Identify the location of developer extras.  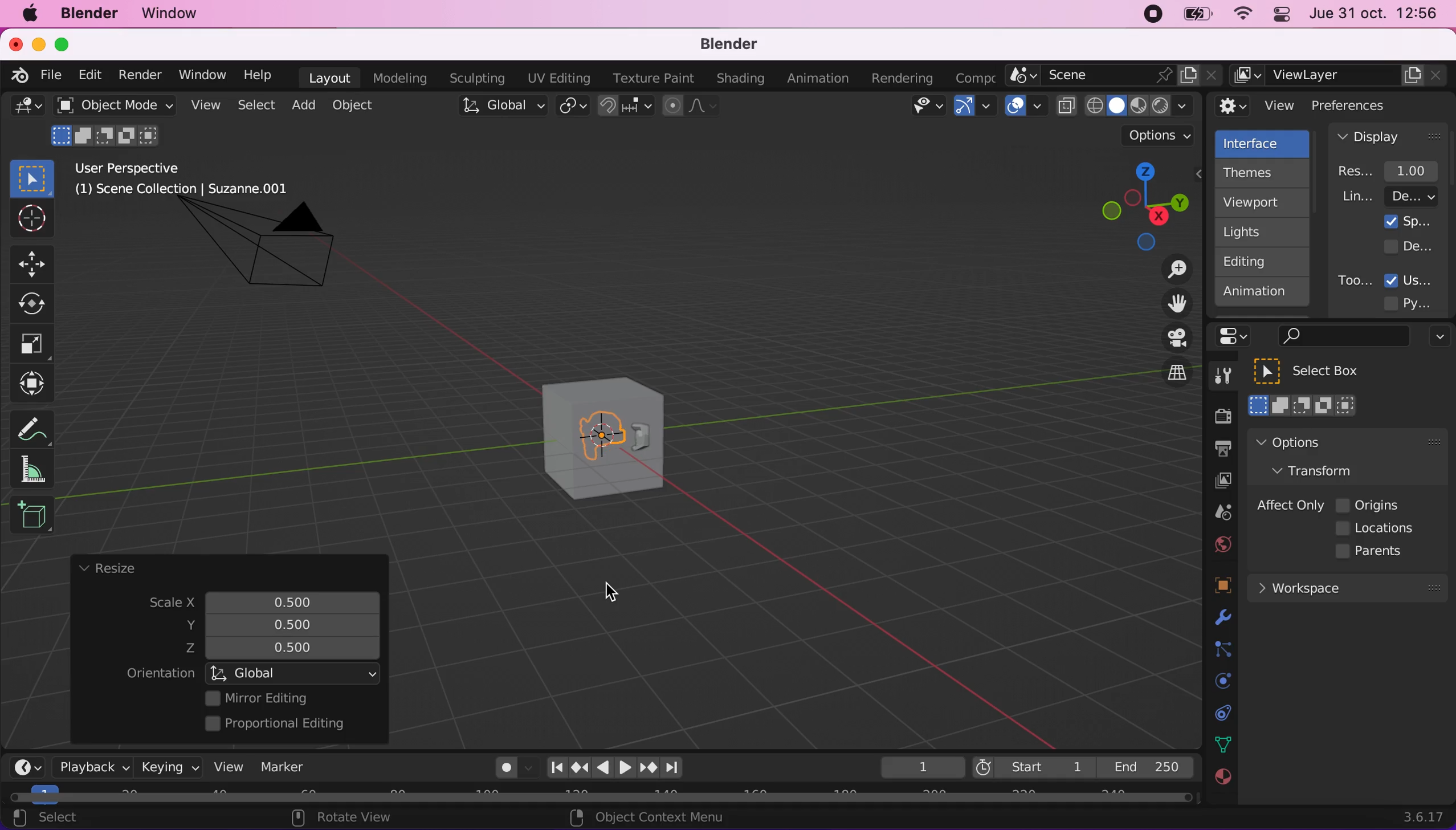
(1410, 246).